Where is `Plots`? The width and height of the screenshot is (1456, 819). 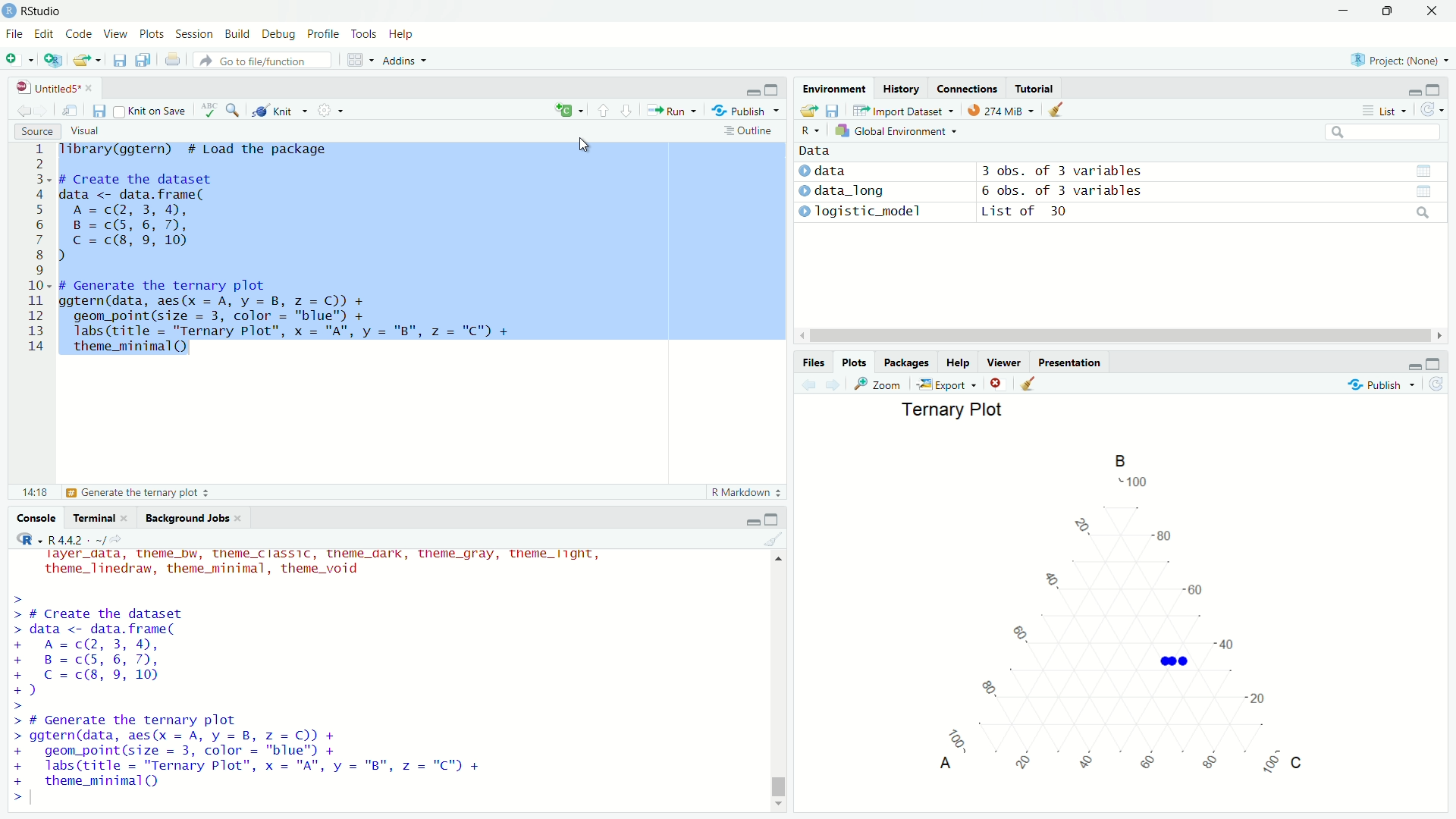
Plots is located at coordinates (852, 361).